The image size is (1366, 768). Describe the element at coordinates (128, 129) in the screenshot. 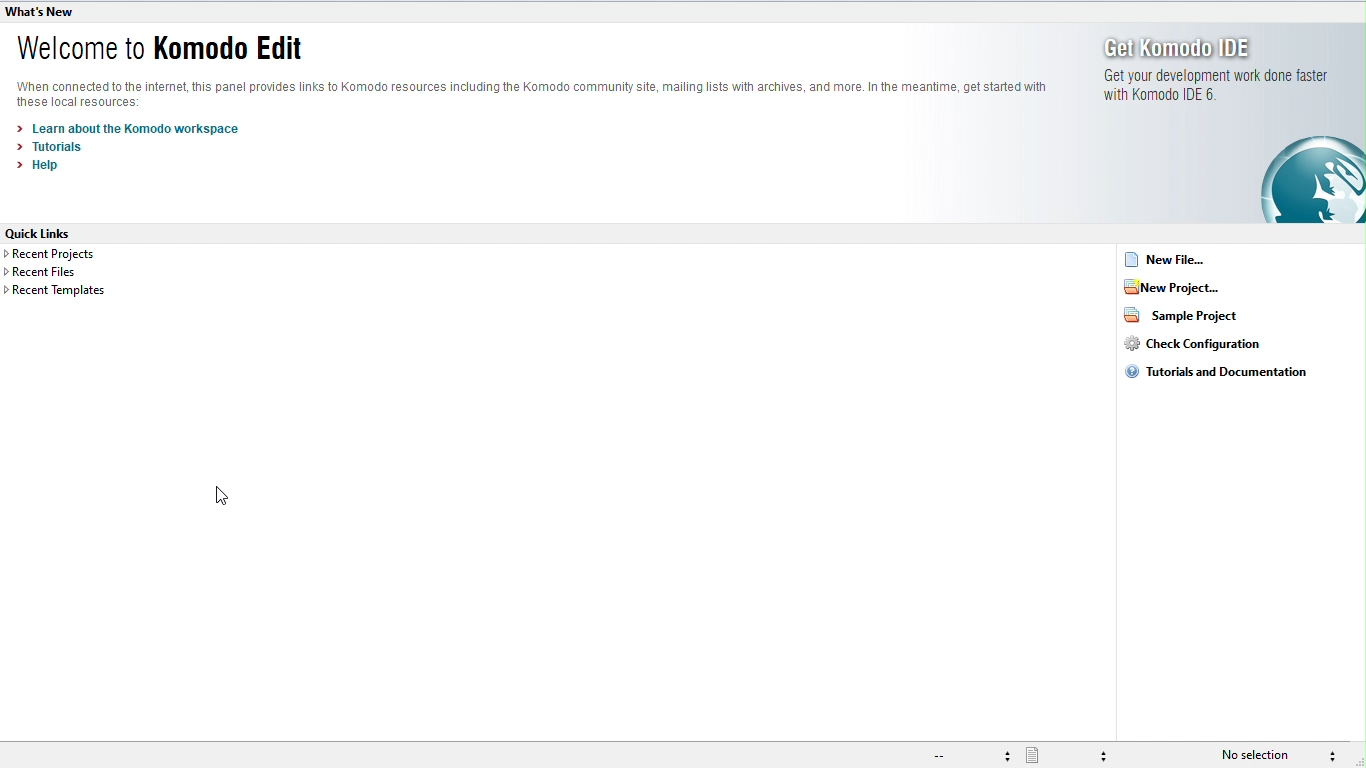

I see `learn about the komodo workspace` at that location.